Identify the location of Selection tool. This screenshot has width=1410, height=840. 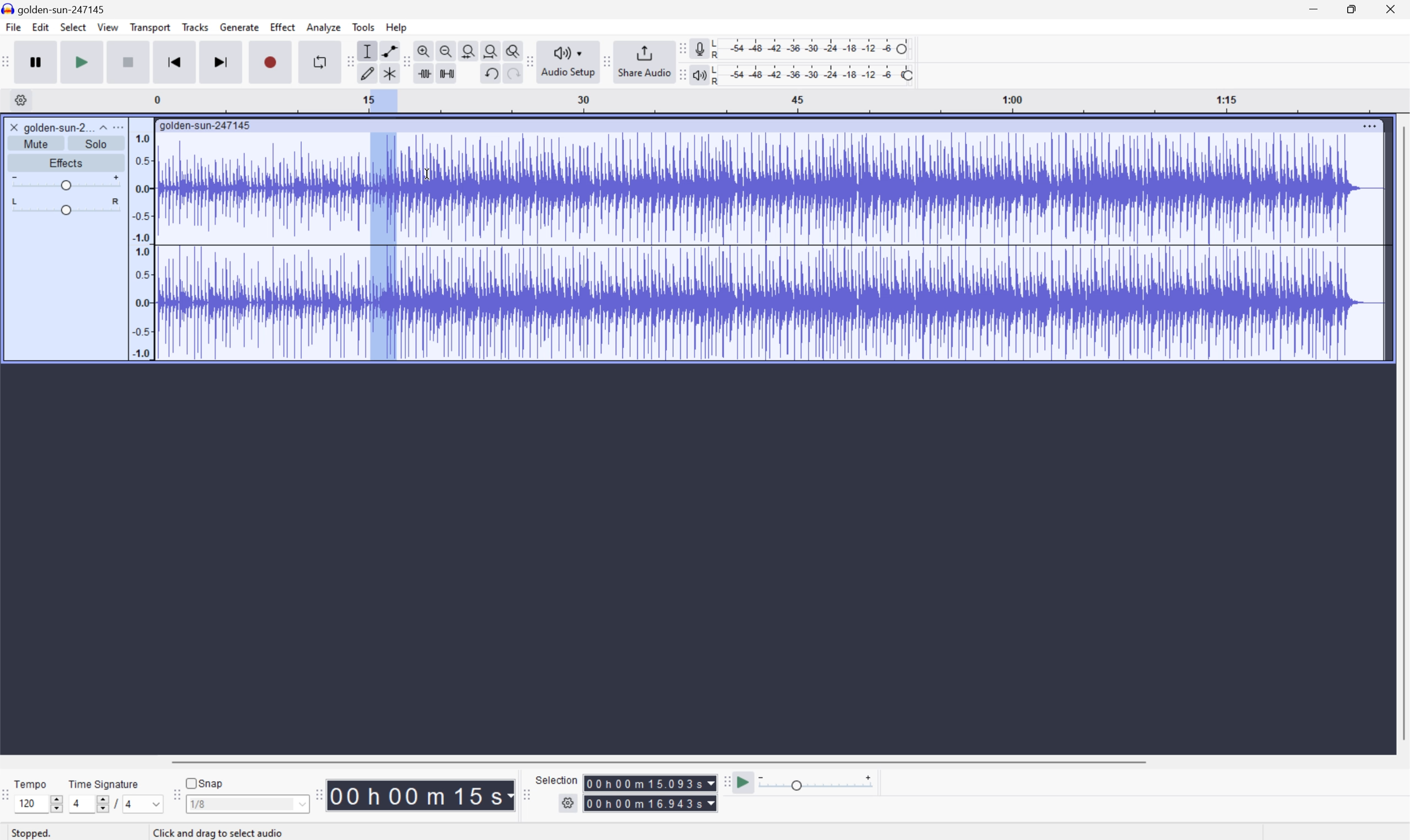
(366, 51).